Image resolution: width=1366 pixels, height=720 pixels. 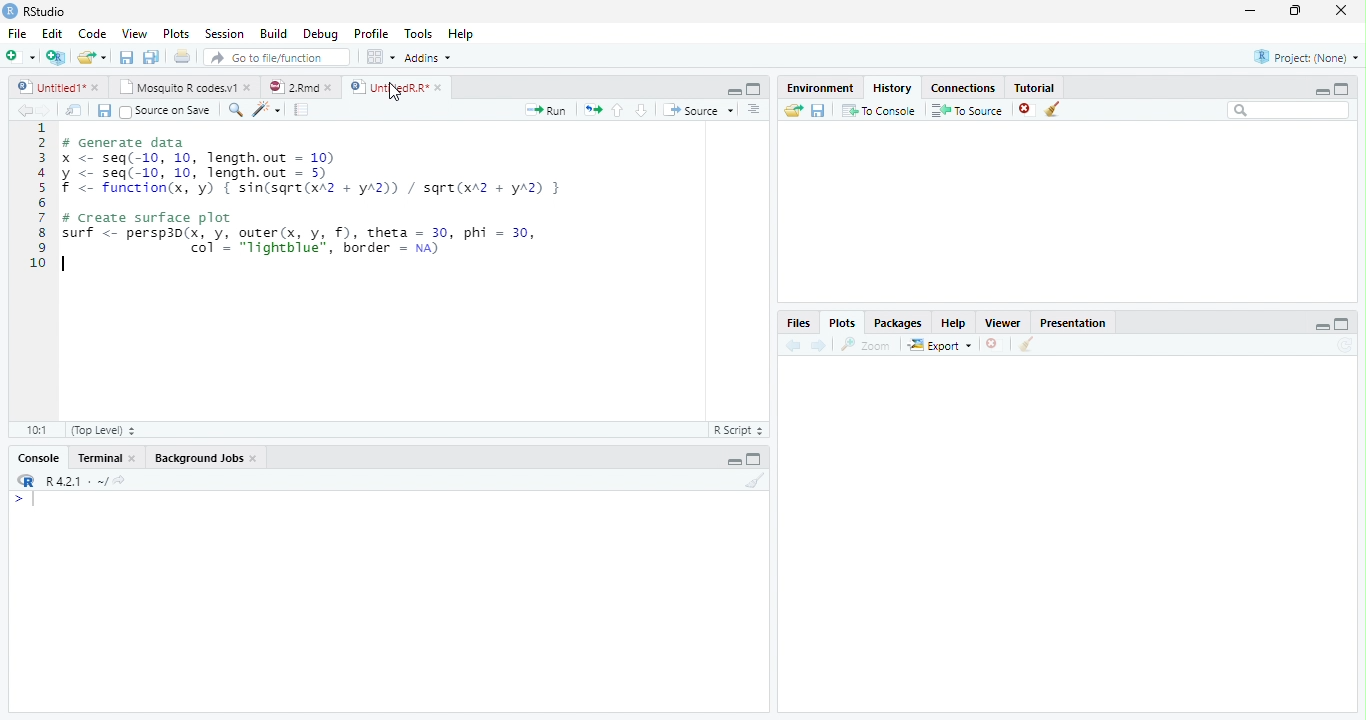 What do you see at coordinates (1343, 324) in the screenshot?
I see `maximize` at bounding box center [1343, 324].